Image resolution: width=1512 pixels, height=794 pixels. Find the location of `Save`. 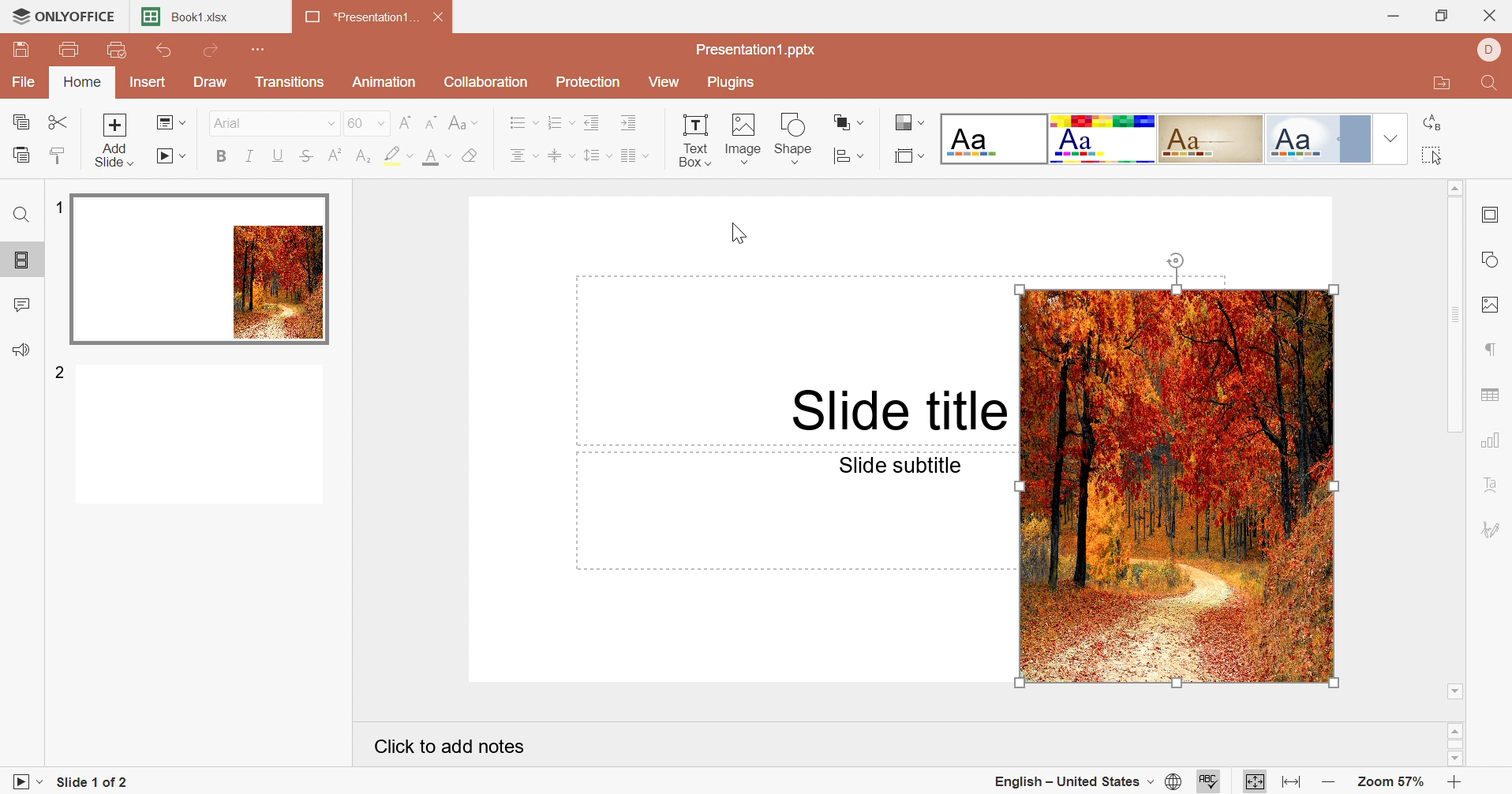

Save is located at coordinates (18, 47).